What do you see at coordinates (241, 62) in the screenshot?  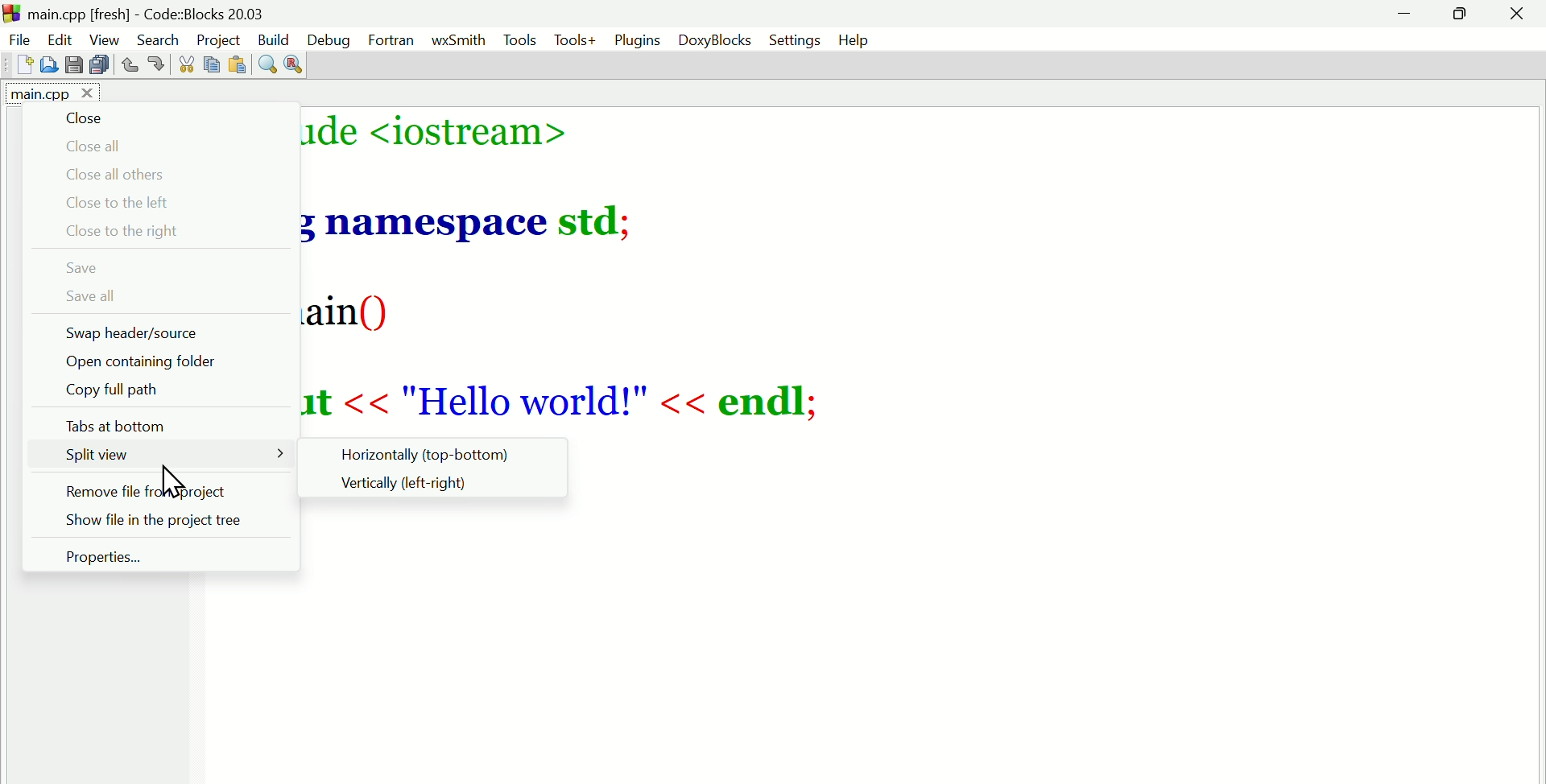 I see `Paste` at bounding box center [241, 62].